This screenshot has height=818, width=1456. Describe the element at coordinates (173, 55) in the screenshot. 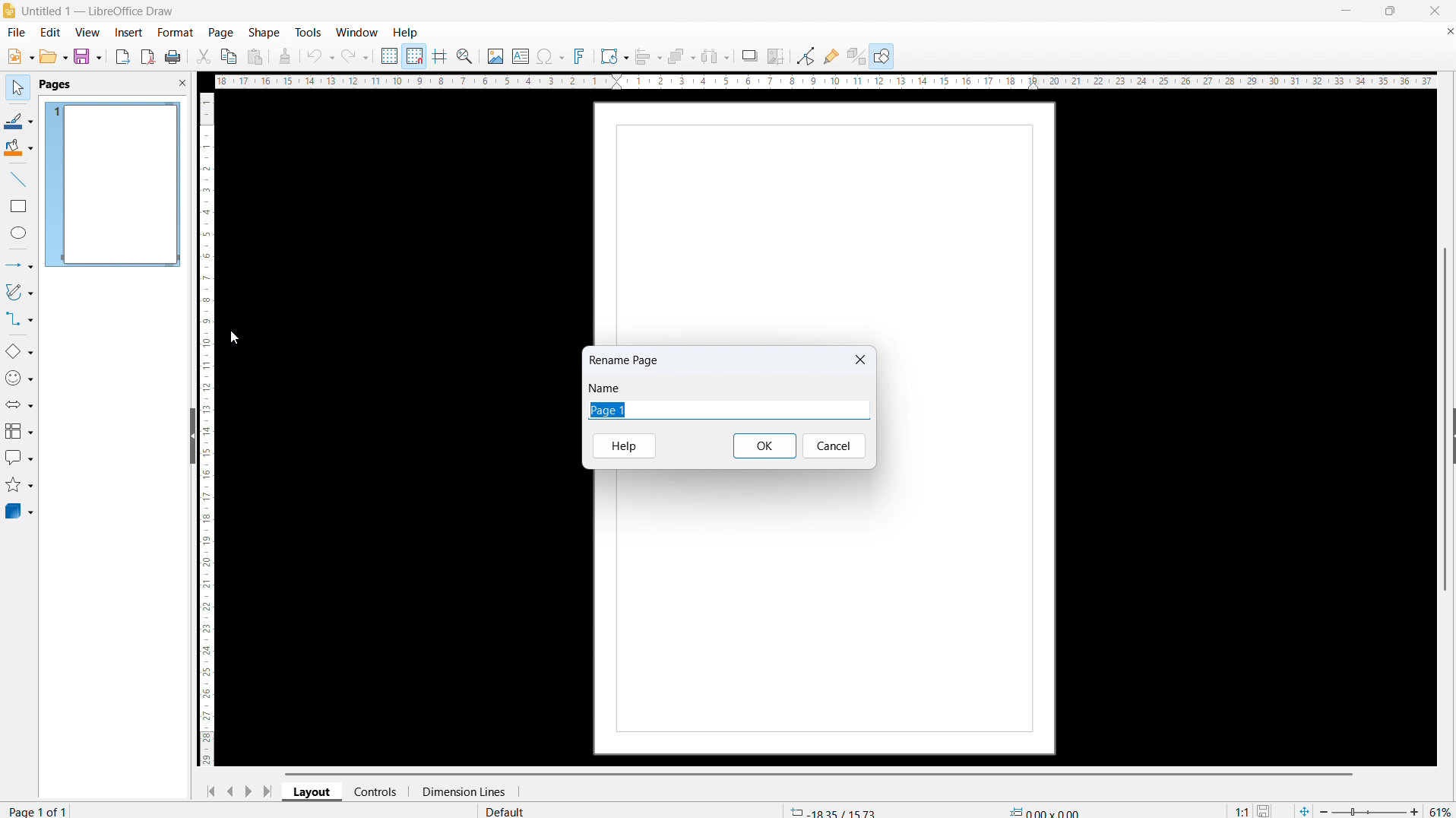

I see `print` at that location.